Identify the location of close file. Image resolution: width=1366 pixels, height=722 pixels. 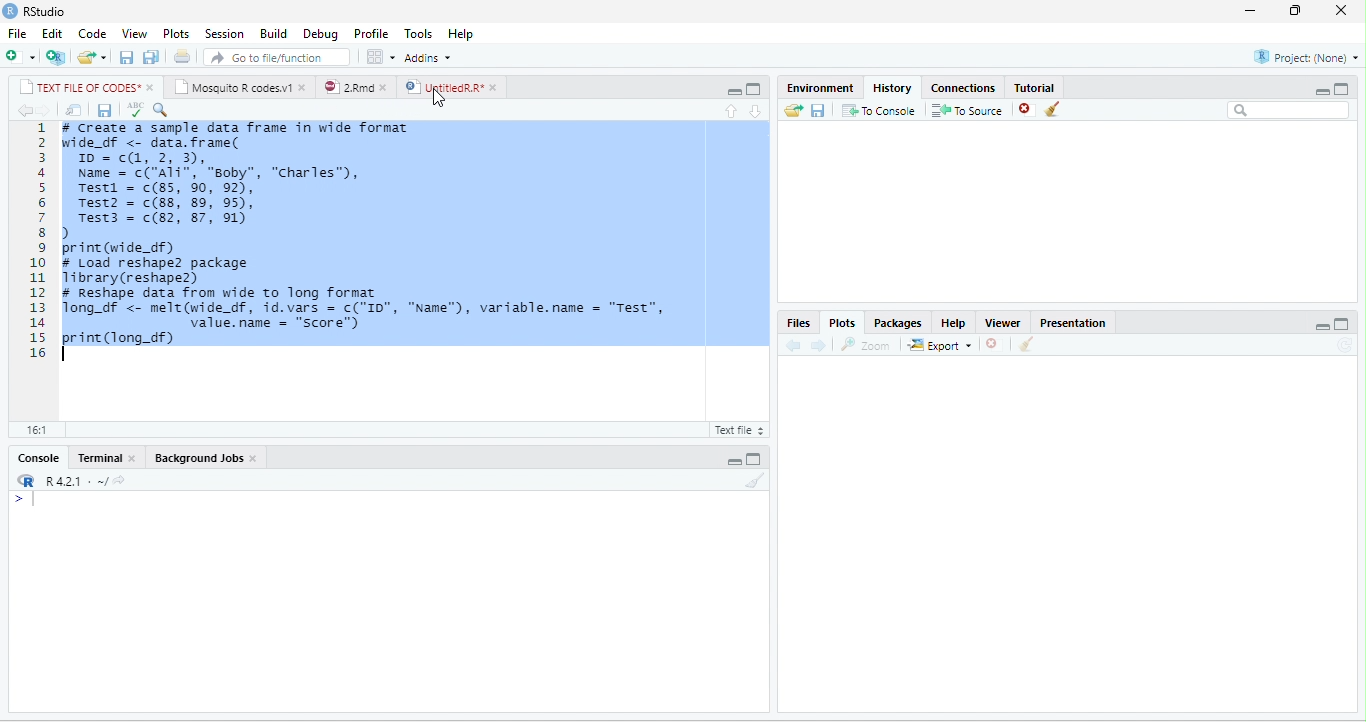
(994, 344).